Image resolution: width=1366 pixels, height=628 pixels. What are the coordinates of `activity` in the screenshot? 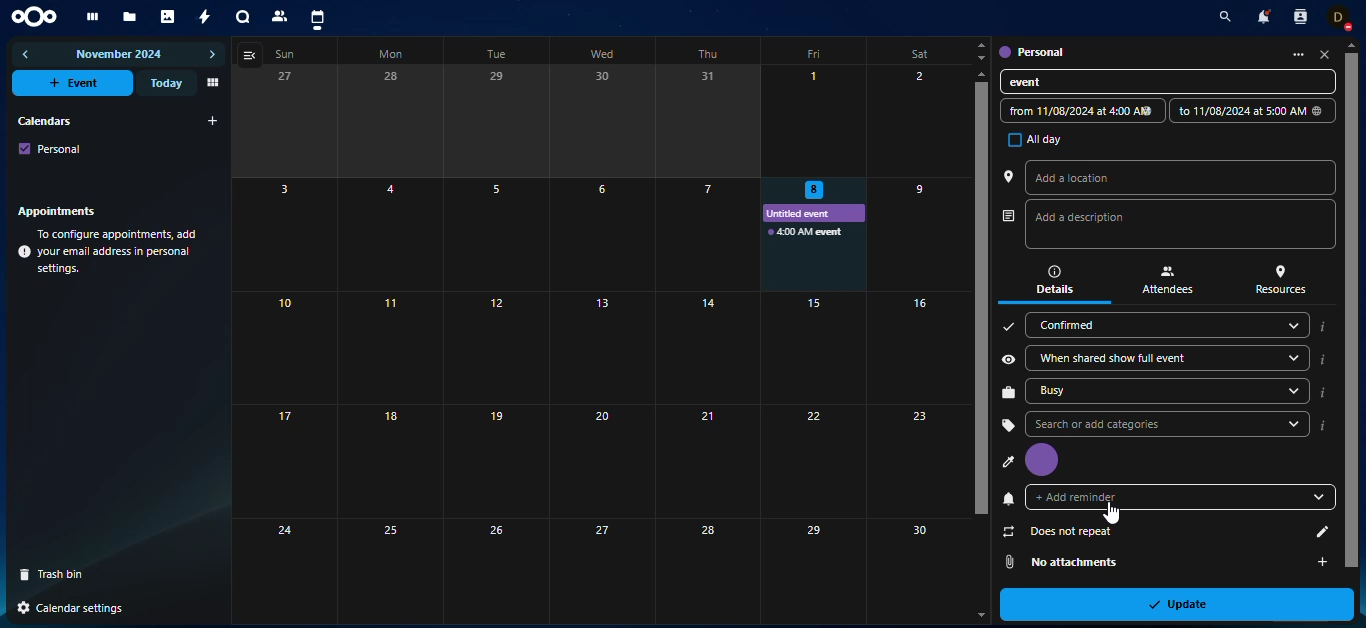 It's located at (206, 17).